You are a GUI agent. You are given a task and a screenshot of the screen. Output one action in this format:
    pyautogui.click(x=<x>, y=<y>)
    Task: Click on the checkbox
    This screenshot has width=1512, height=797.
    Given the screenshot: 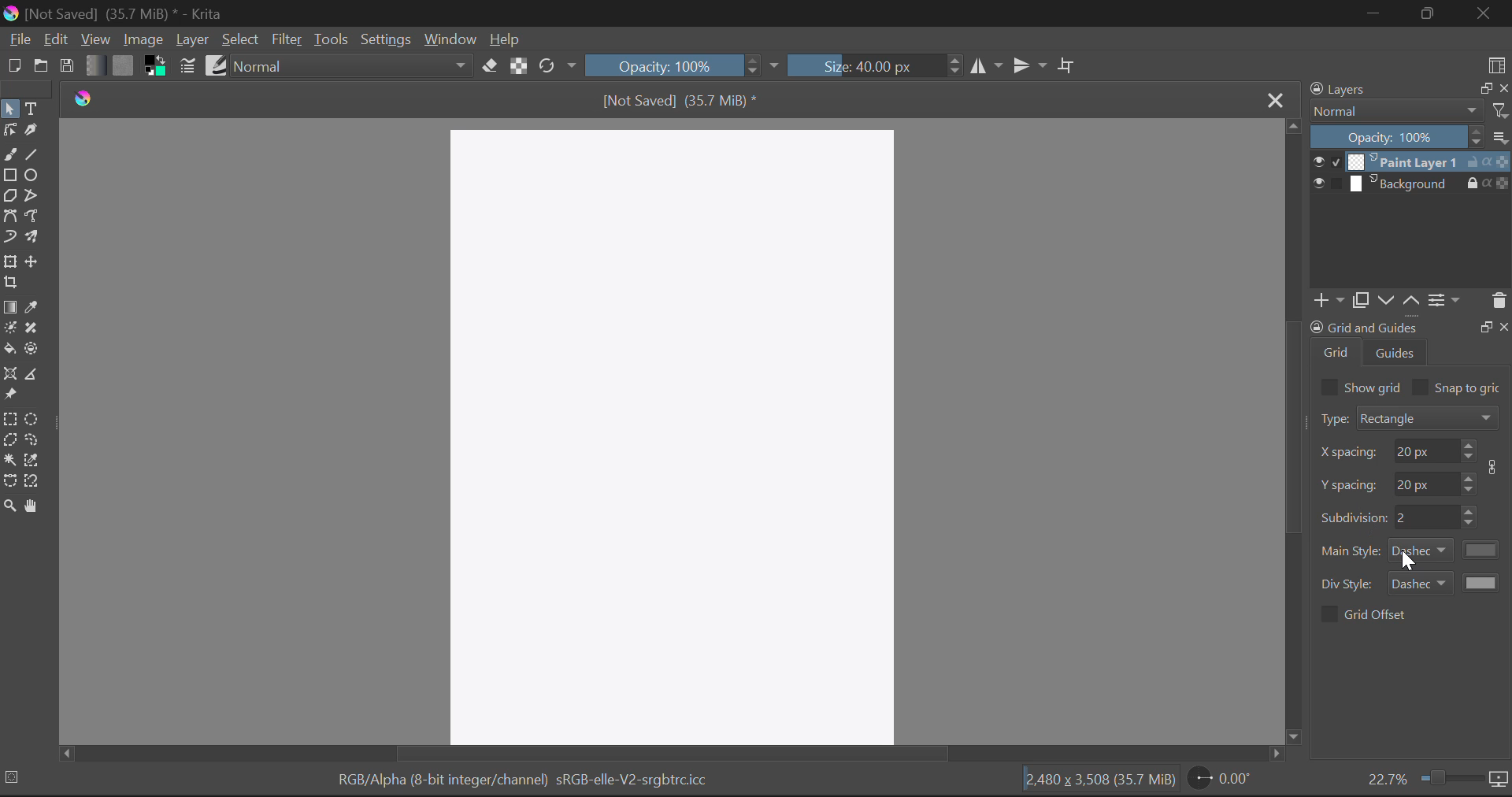 What is the action you would take?
    pyautogui.click(x=1328, y=387)
    